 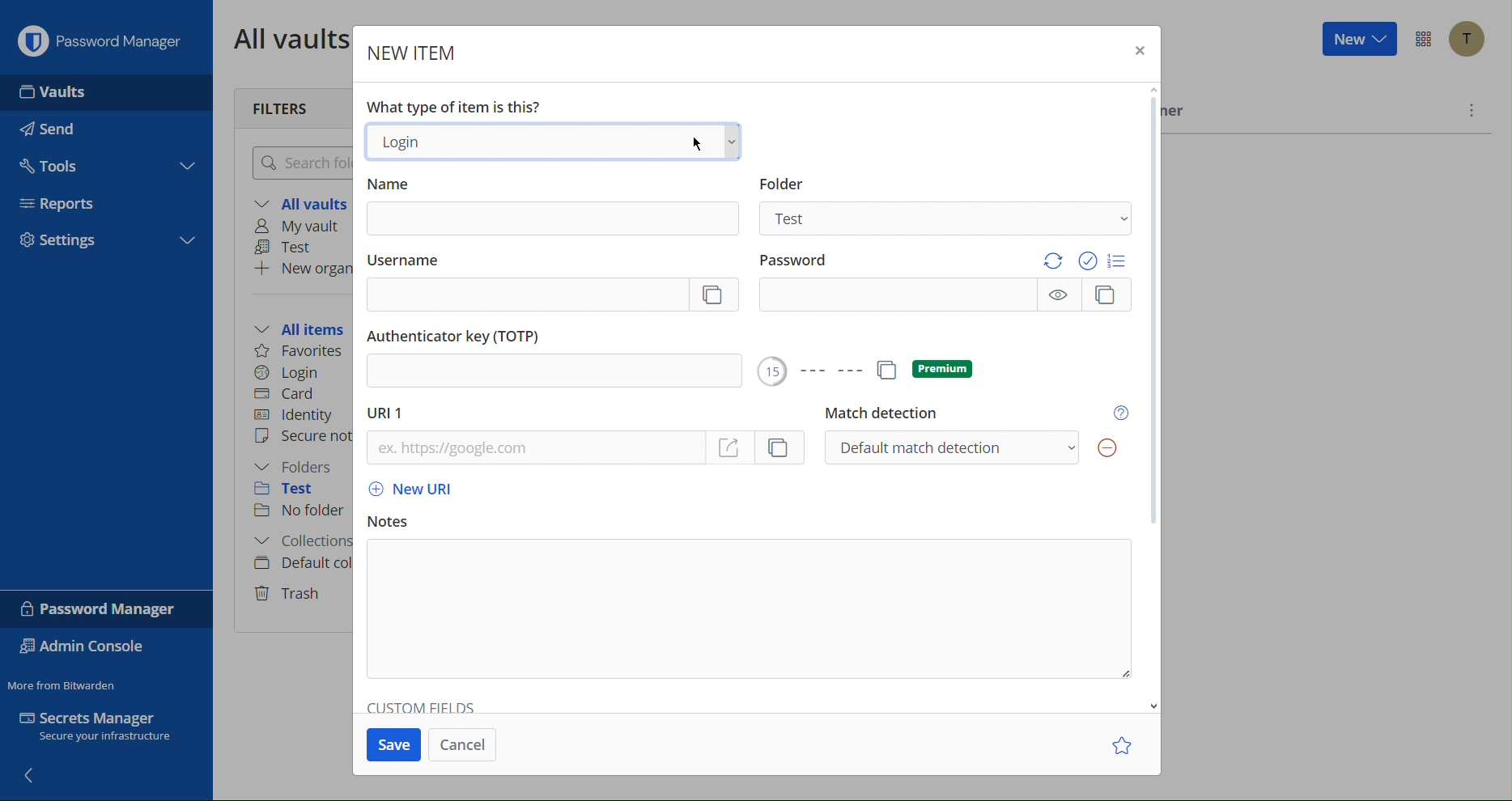 What do you see at coordinates (298, 439) in the screenshot?
I see `Secure note` at bounding box center [298, 439].